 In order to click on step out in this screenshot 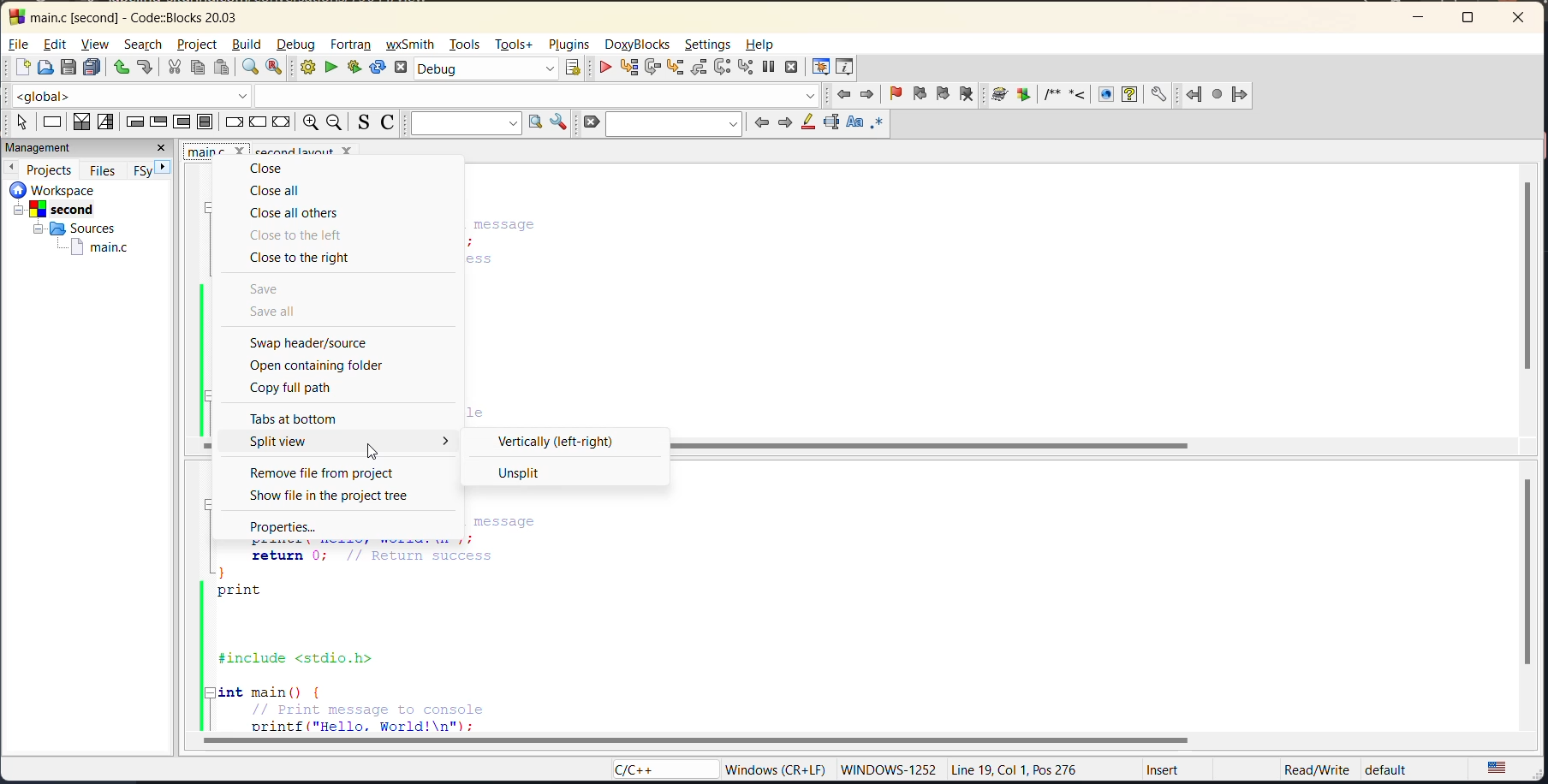, I will do `click(696, 69)`.